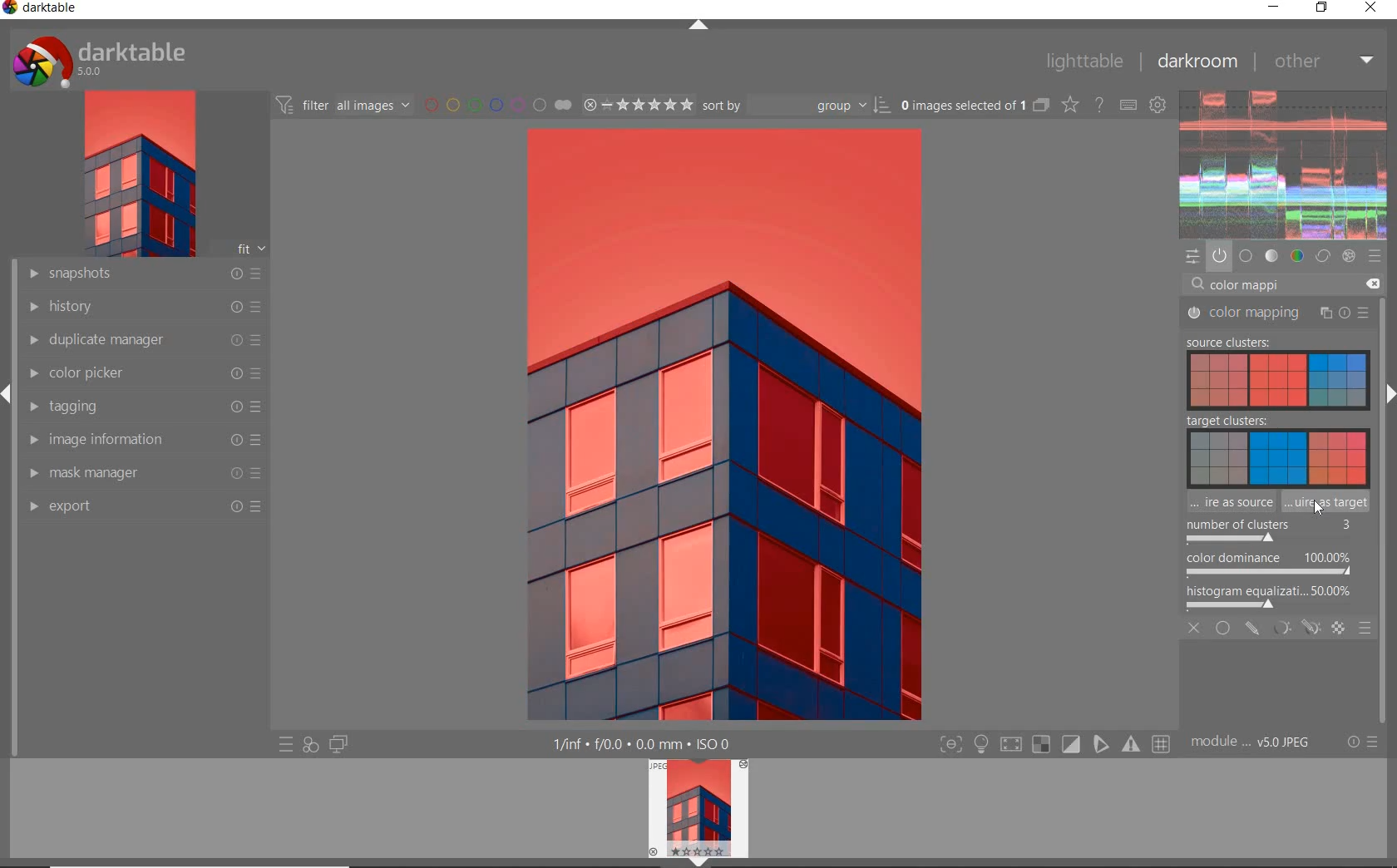 This screenshot has height=868, width=1397. What do you see at coordinates (1371, 9) in the screenshot?
I see `close` at bounding box center [1371, 9].